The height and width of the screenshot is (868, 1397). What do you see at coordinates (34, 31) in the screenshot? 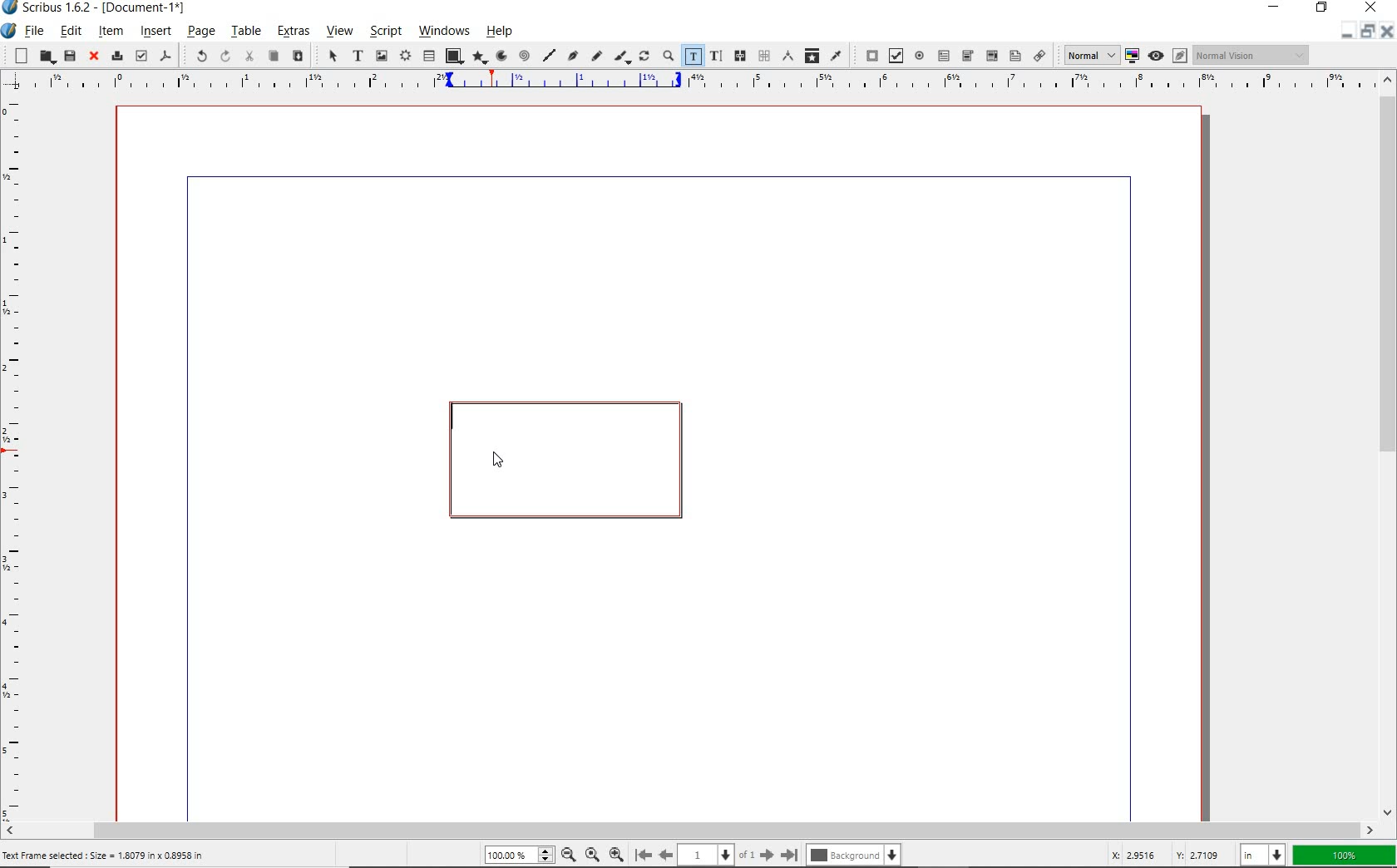
I see `file` at bounding box center [34, 31].